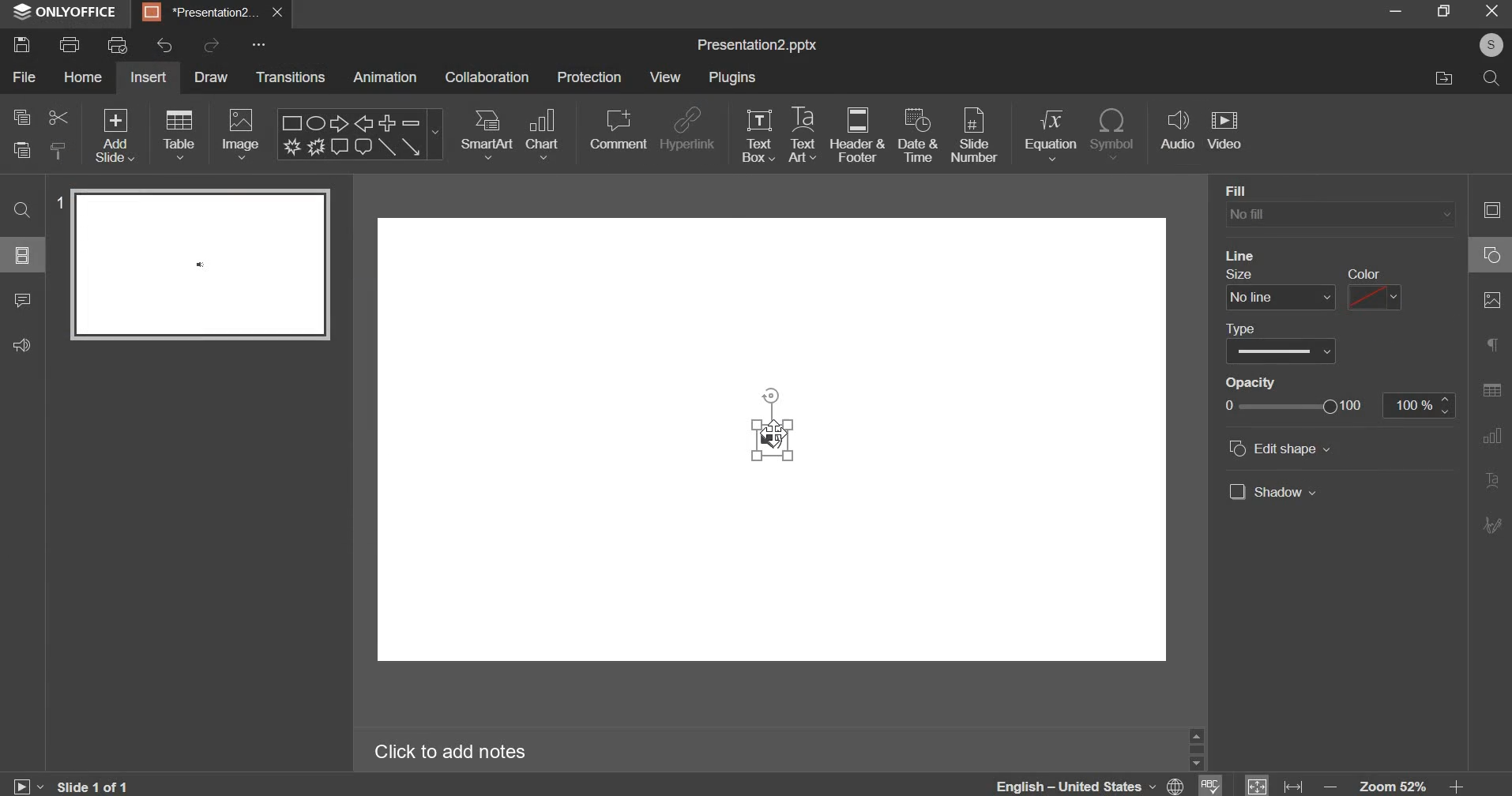 The image size is (1512, 796). What do you see at coordinates (85, 77) in the screenshot?
I see `home` at bounding box center [85, 77].